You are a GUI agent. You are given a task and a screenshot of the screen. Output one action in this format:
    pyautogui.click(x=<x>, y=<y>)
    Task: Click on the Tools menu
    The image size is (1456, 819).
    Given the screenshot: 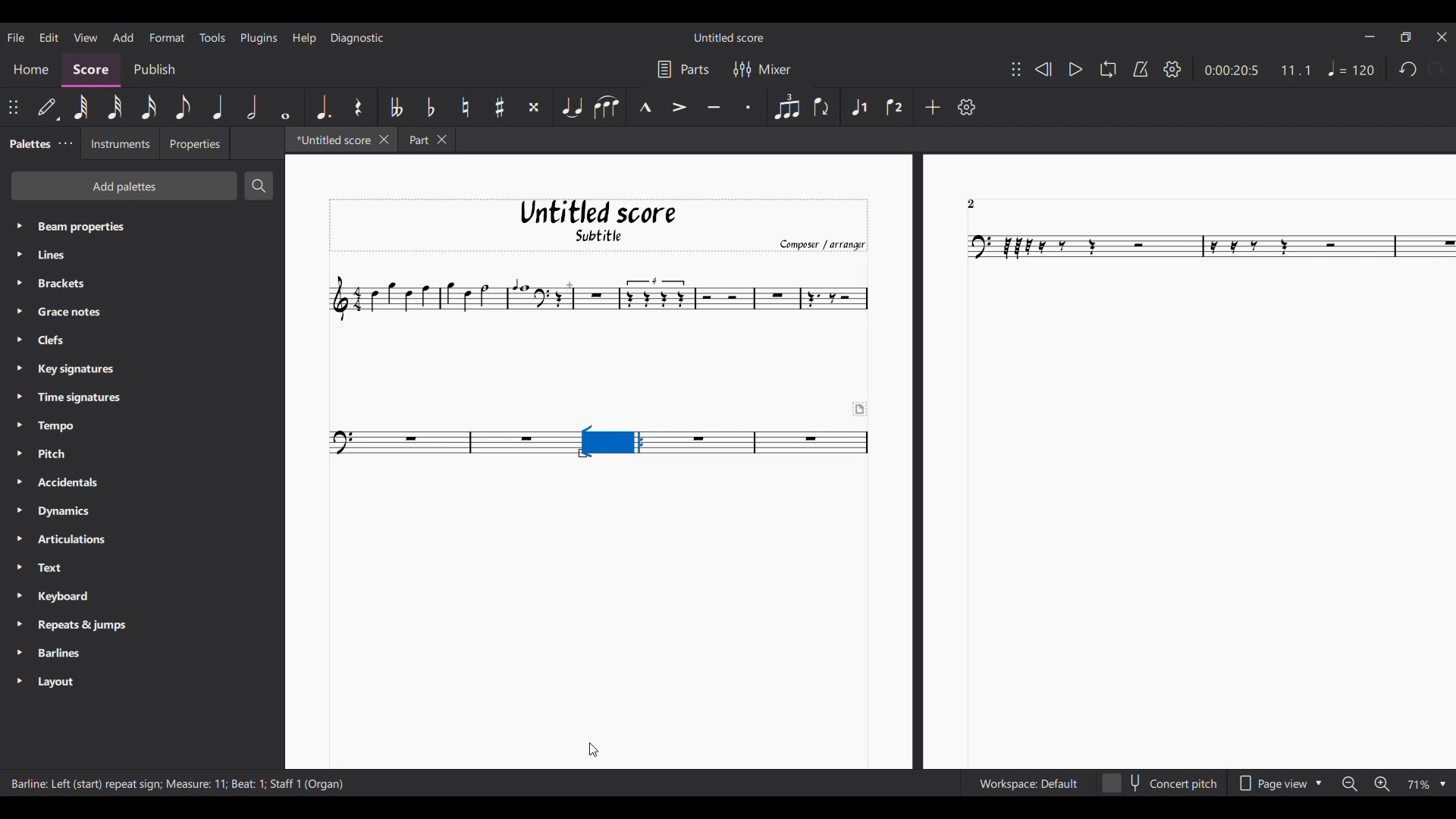 What is the action you would take?
    pyautogui.click(x=212, y=37)
    